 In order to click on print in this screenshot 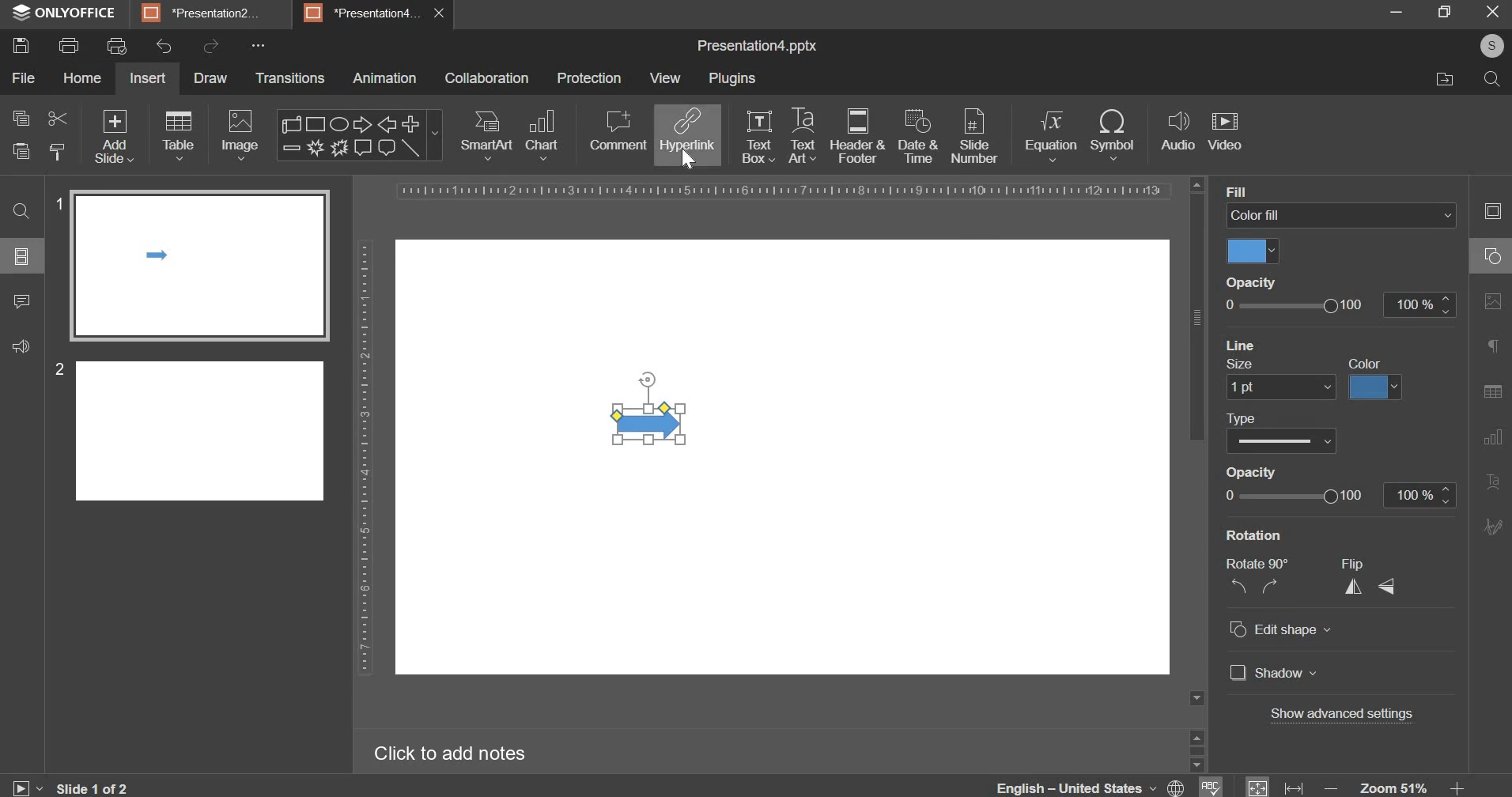, I will do `click(71, 45)`.